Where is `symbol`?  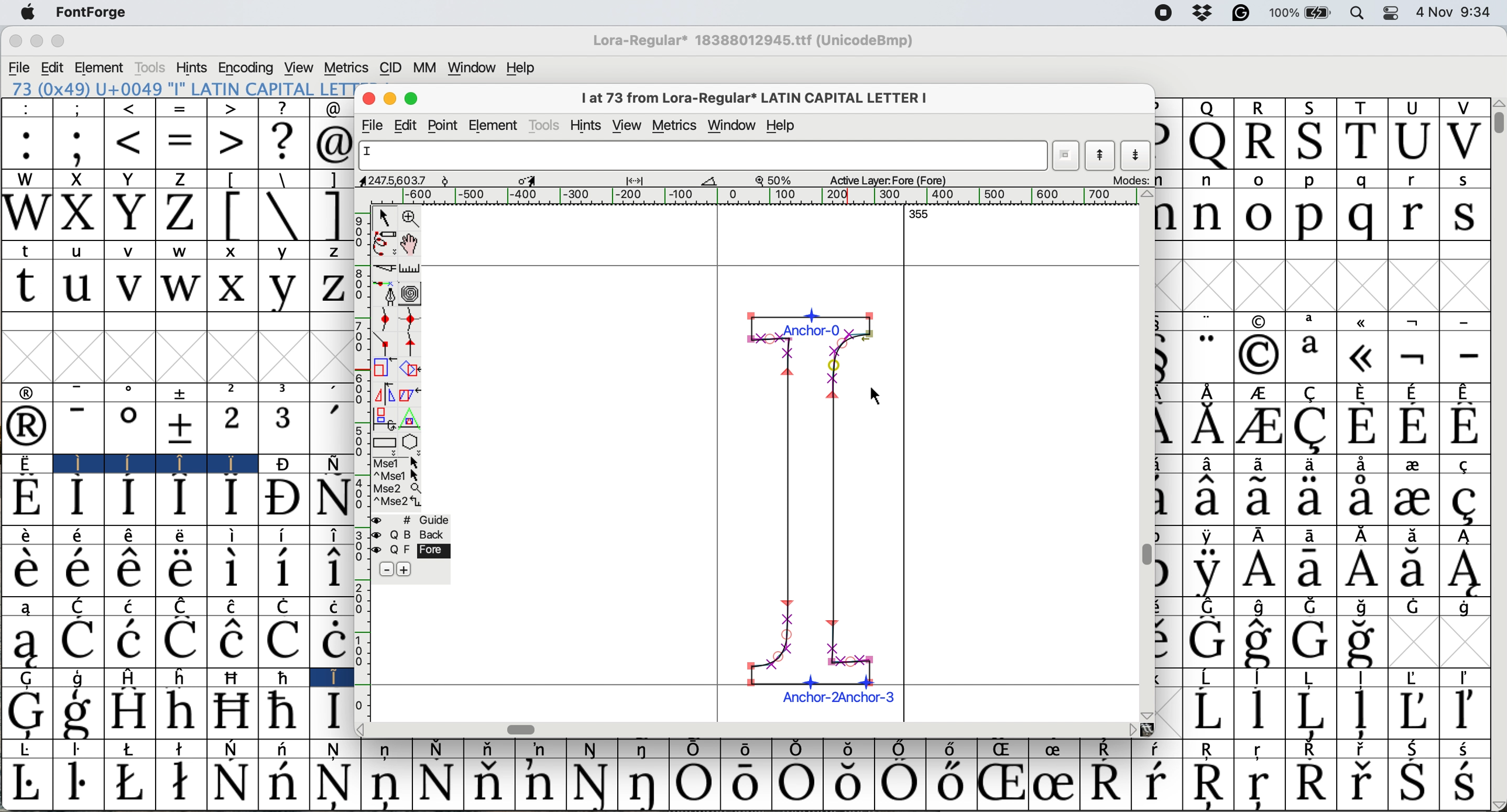
symbol is located at coordinates (1417, 319).